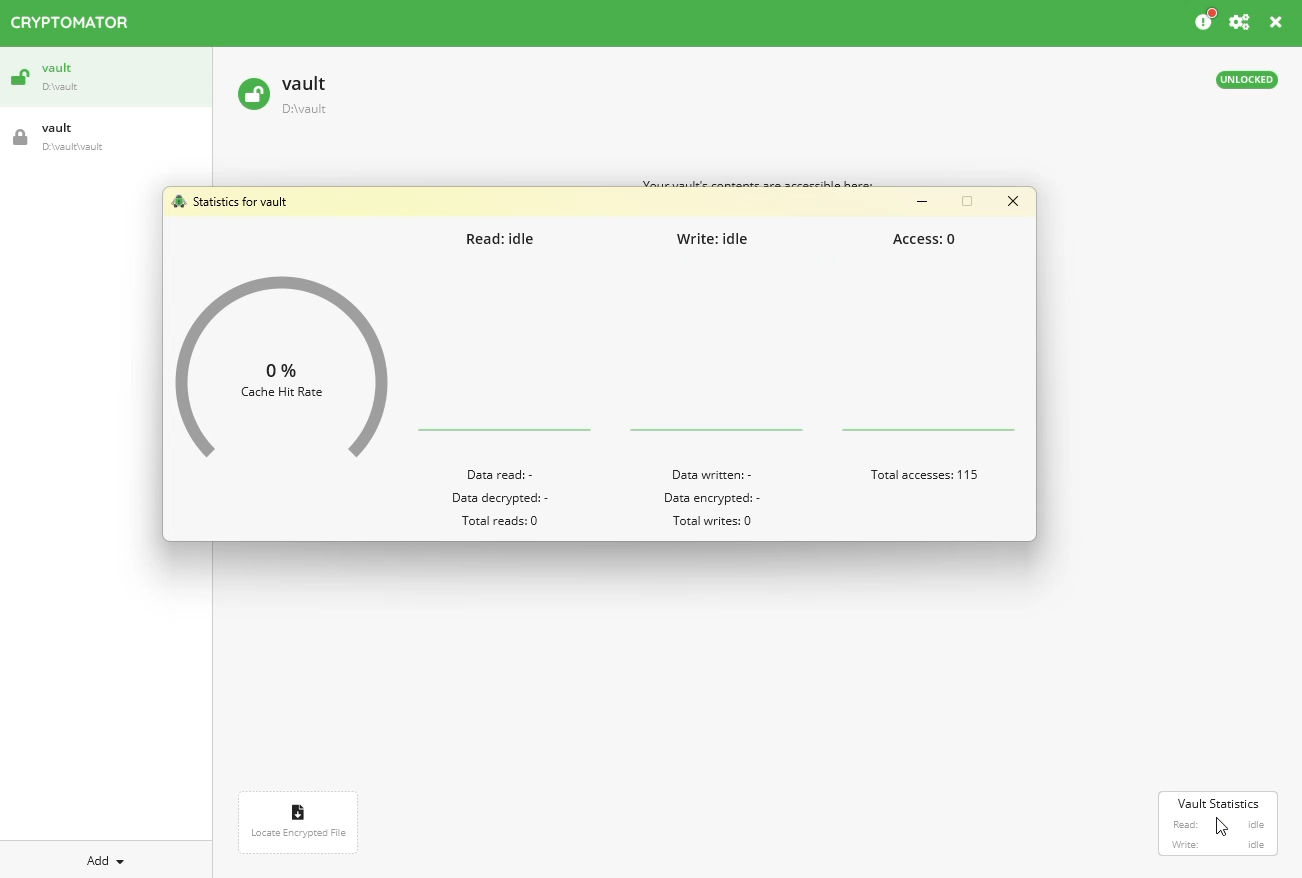 The image size is (1302, 878). What do you see at coordinates (933, 240) in the screenshot?
I see `access` at bounding box center [933, 240].